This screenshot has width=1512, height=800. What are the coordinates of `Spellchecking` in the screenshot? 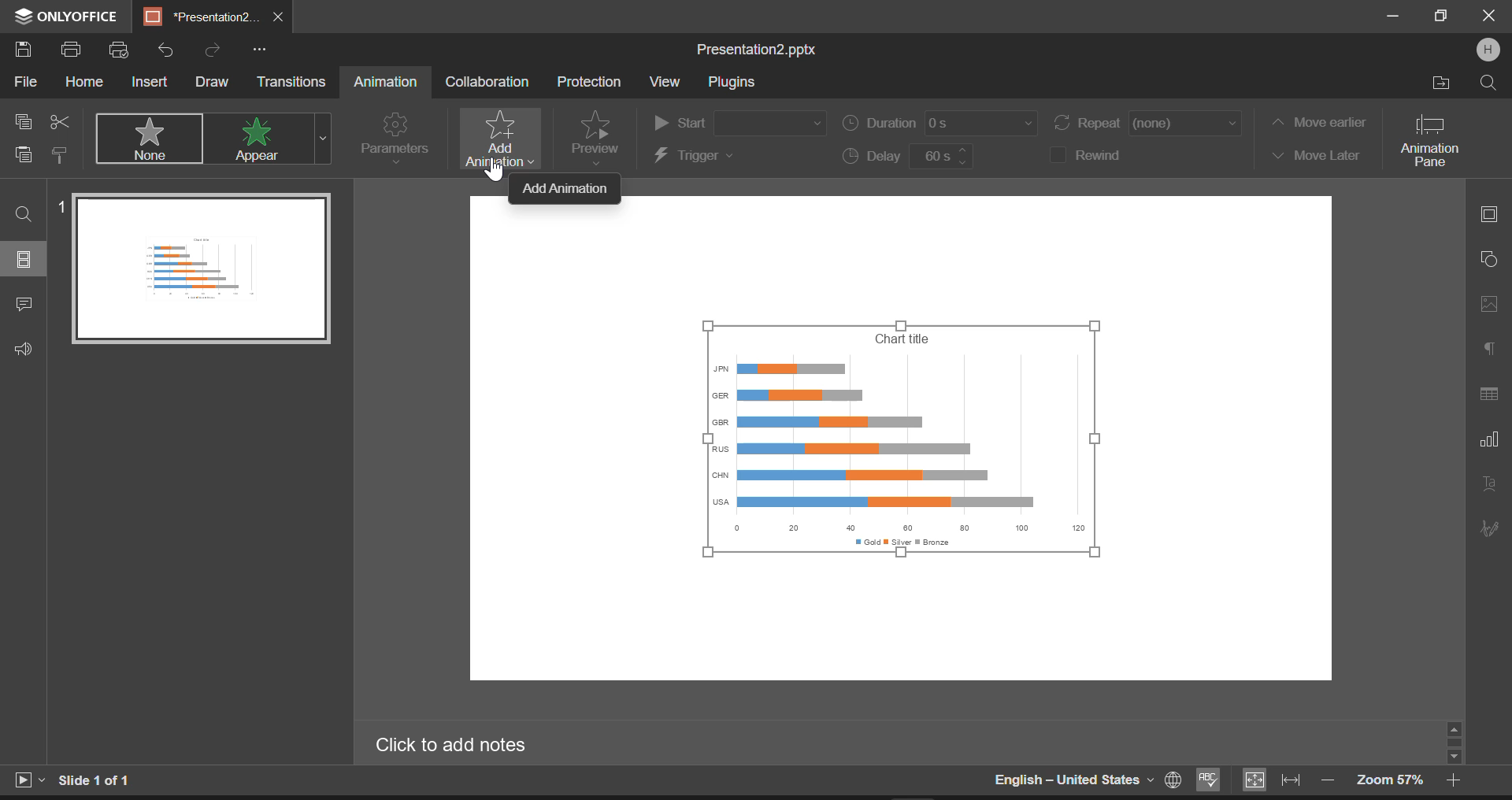 It's located at (1209, 781).